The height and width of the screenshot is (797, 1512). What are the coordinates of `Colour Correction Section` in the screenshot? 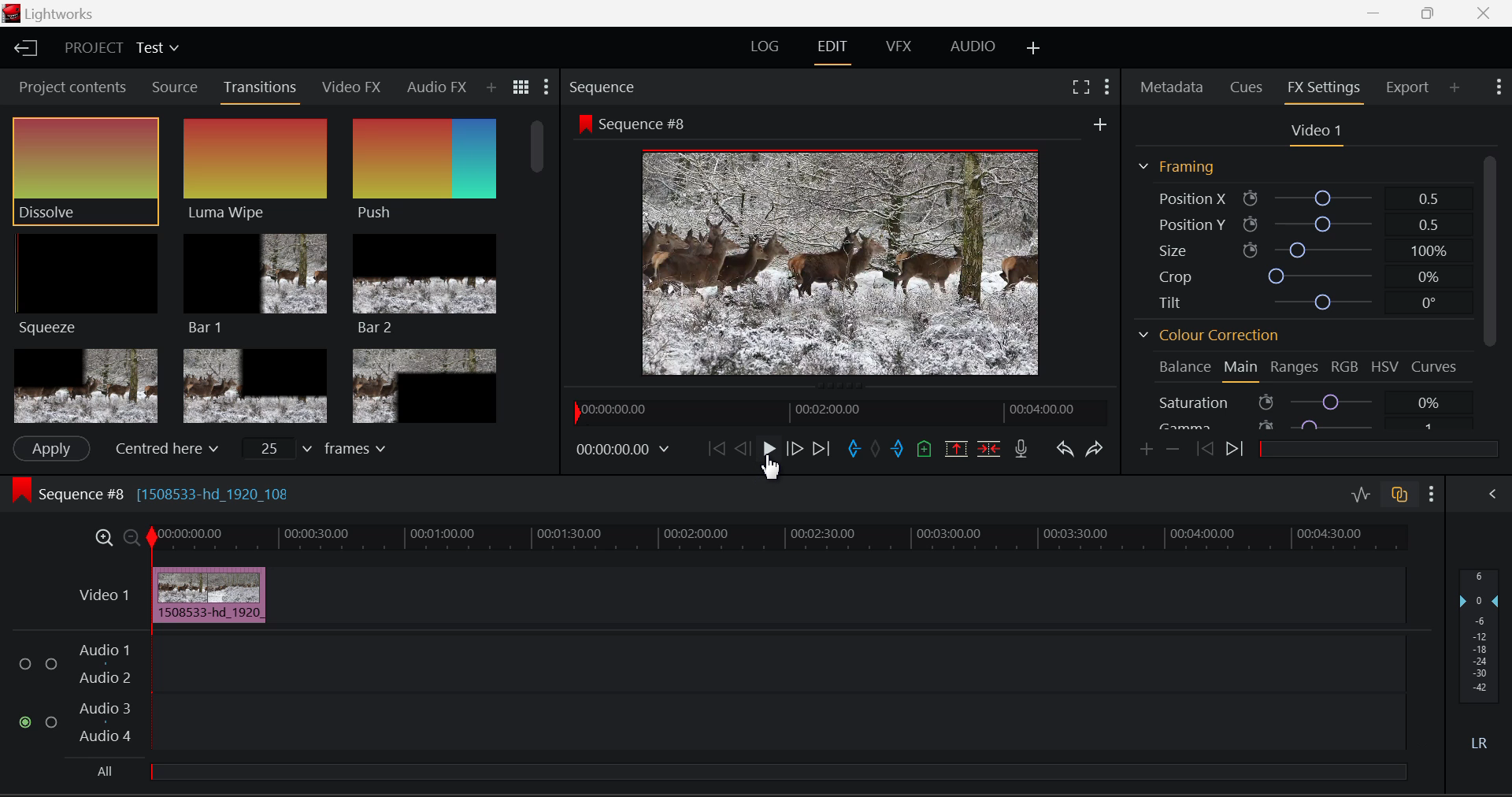 It's located at (1210, 336).